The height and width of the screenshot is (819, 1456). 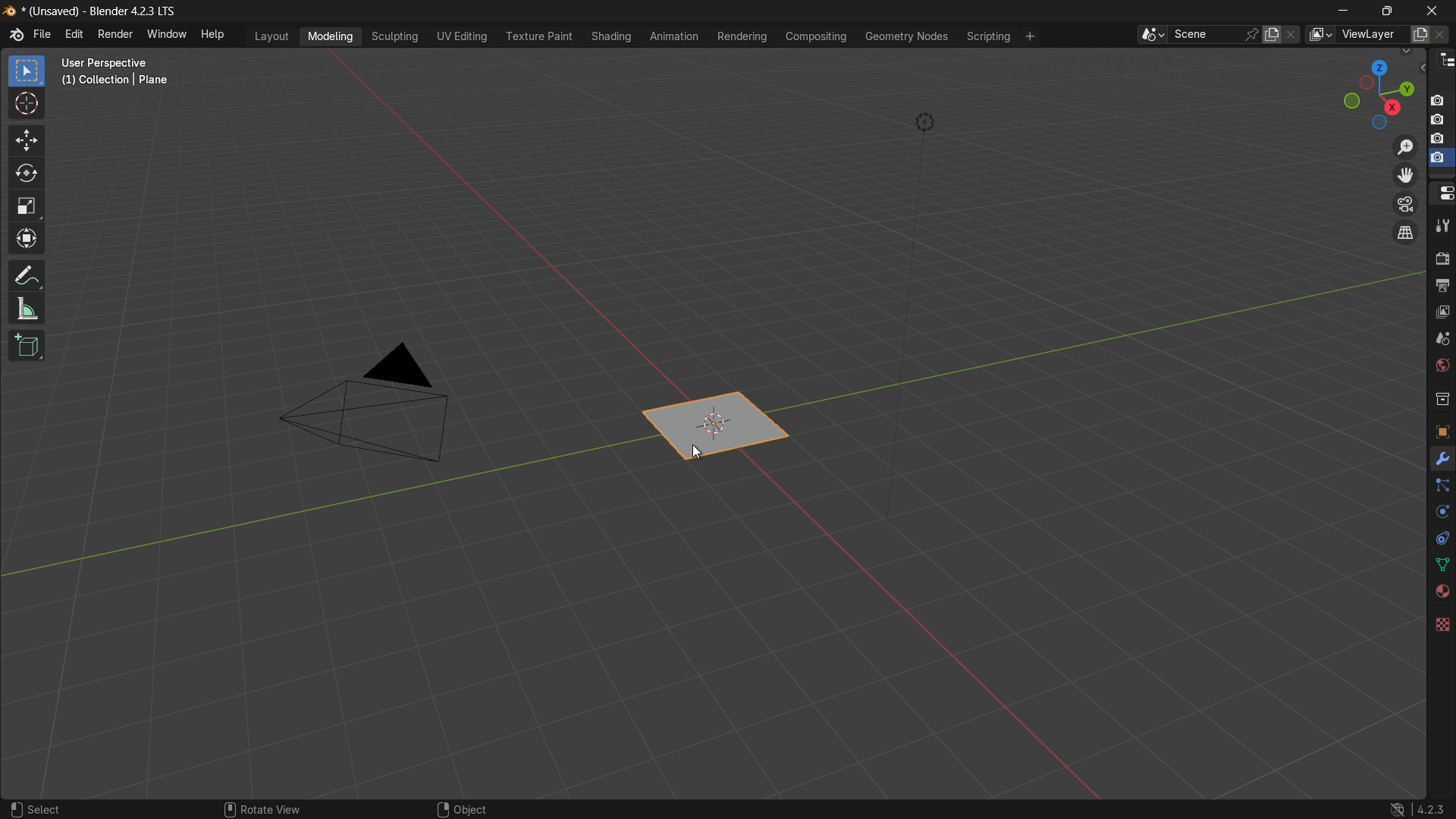 What do you see at coordinates (906, 37) in the screenshot?
I see `geometry nodes` at bounding box center [906, 37].